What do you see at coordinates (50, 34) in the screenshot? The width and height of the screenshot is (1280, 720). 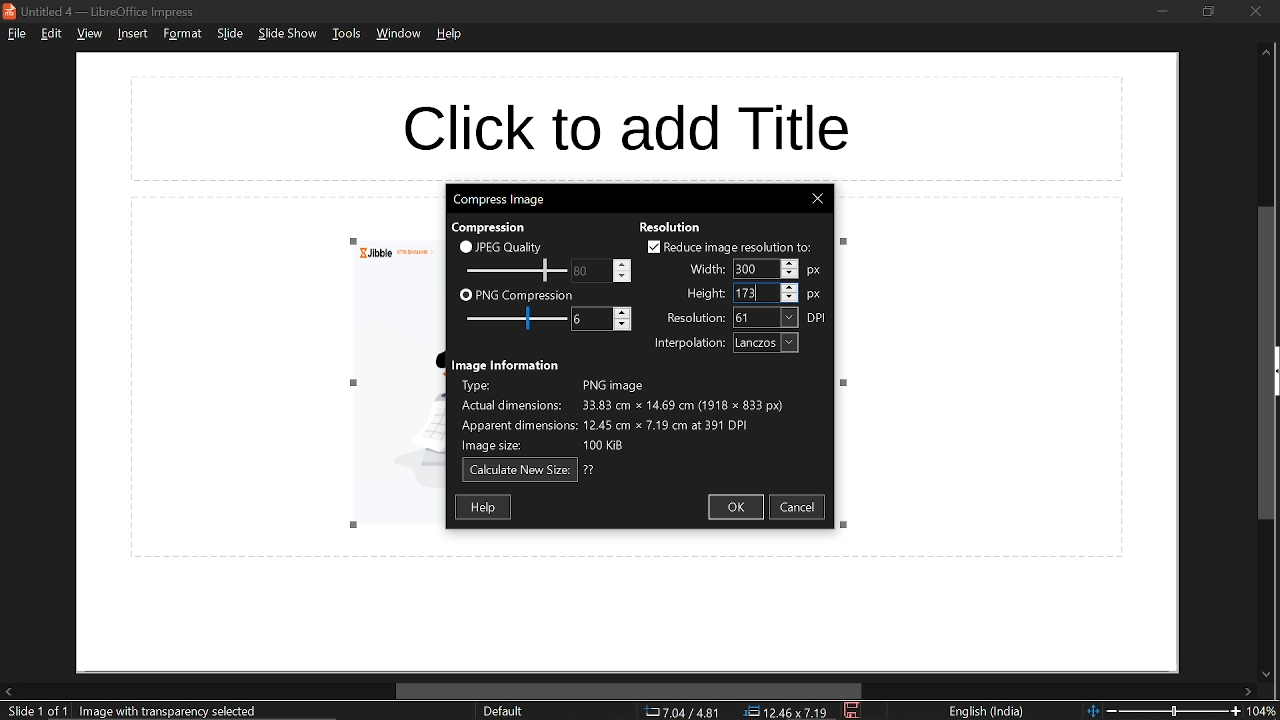 I see `edit` at bounding box center [50, 34].